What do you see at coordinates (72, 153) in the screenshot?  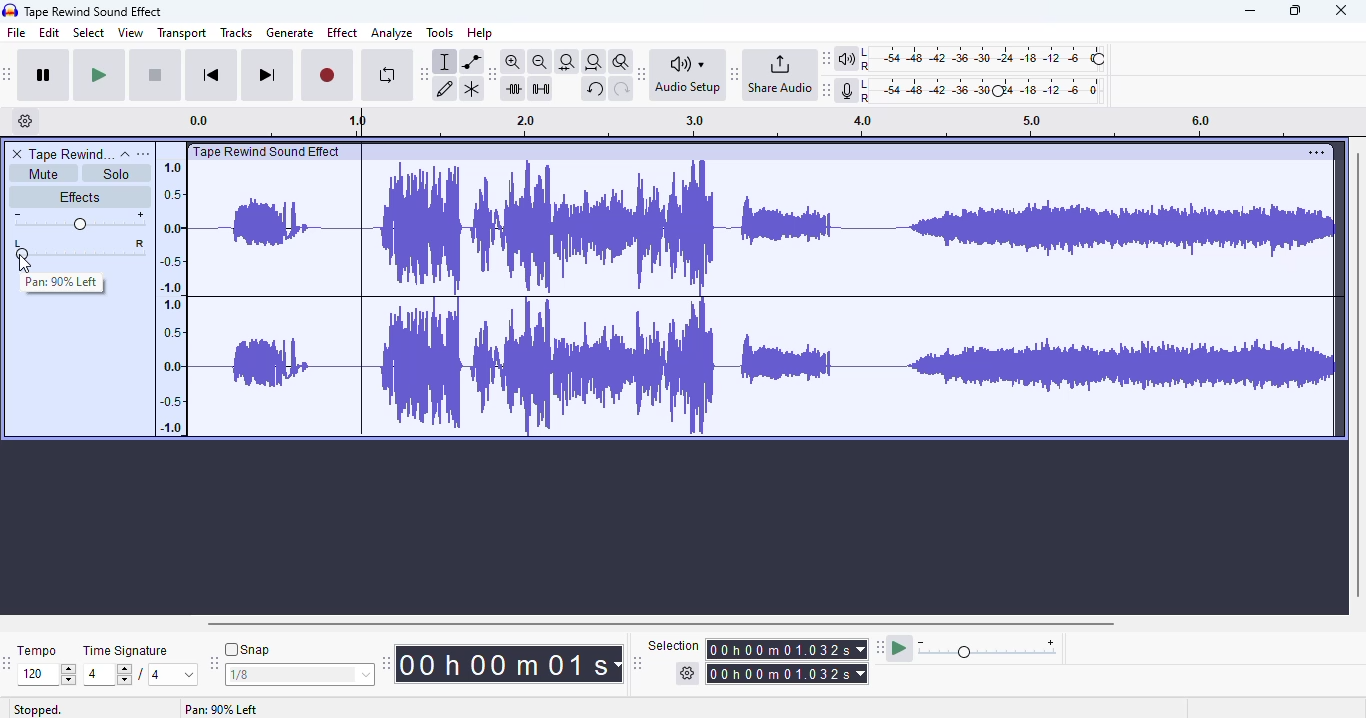 I see `track name` at bounding box center [72, 153].